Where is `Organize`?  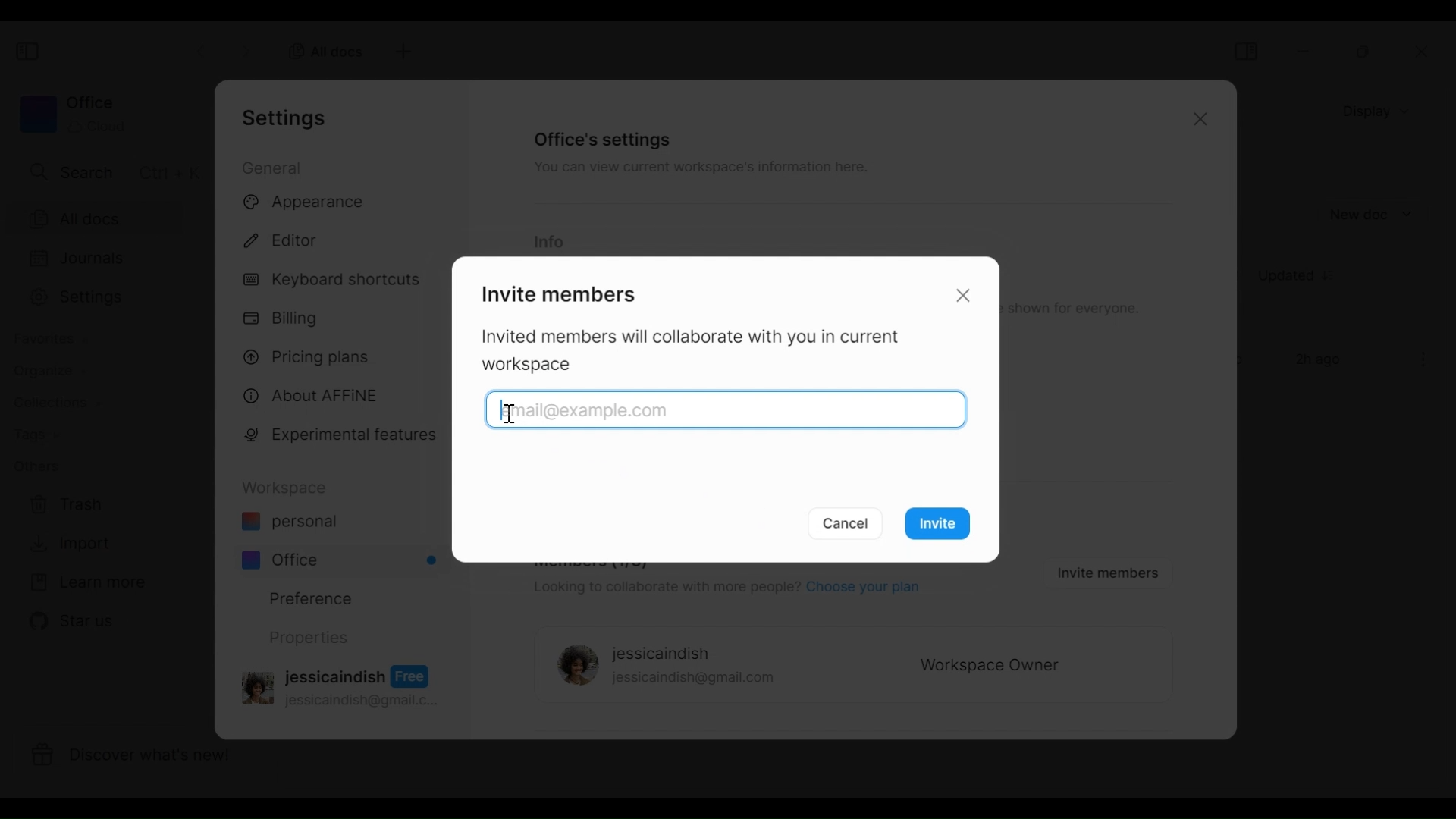
Organize is located at coordinates (42, 371).